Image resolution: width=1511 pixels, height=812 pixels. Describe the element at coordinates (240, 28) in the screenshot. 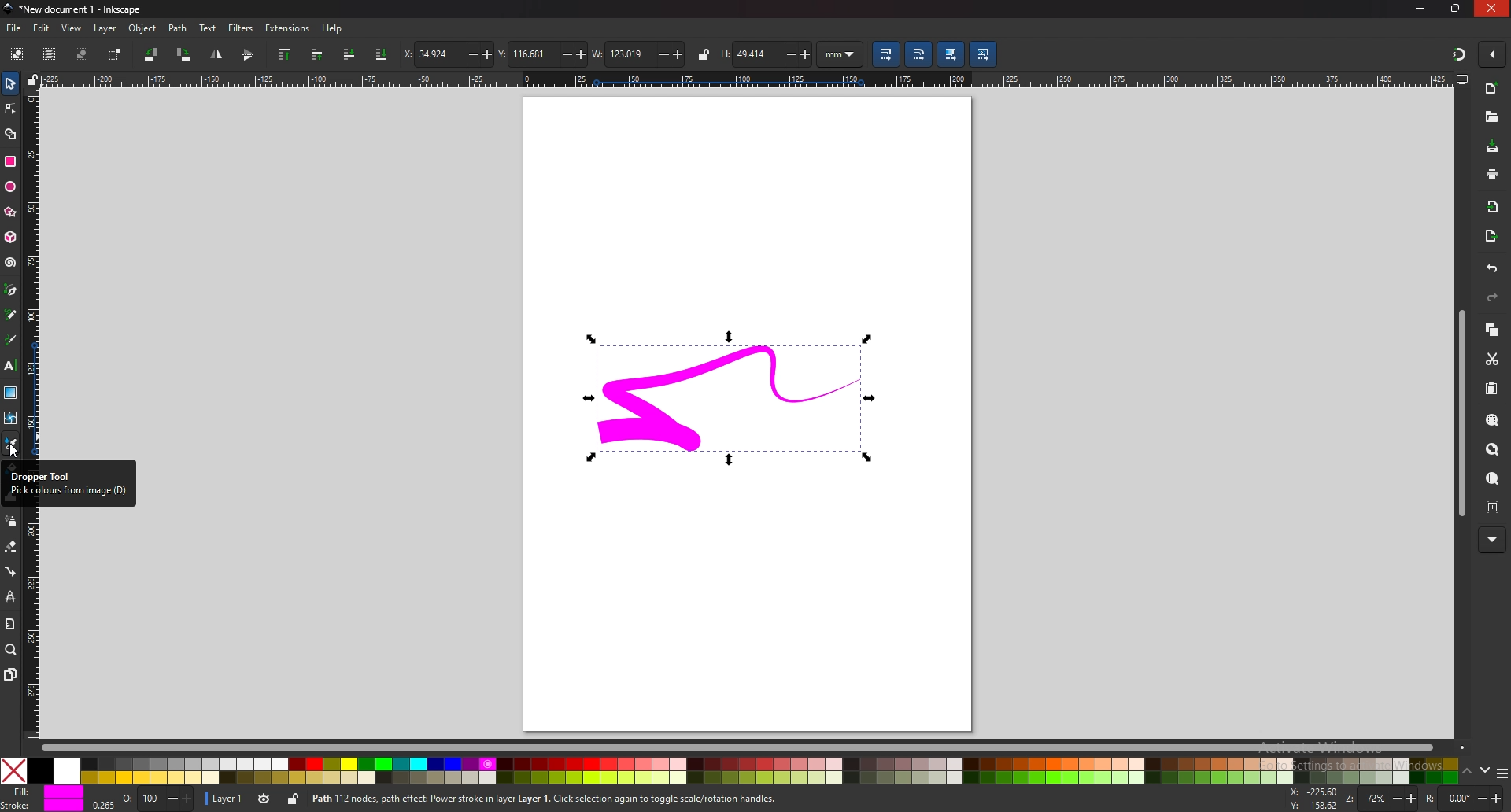

I see `filters` at that location.